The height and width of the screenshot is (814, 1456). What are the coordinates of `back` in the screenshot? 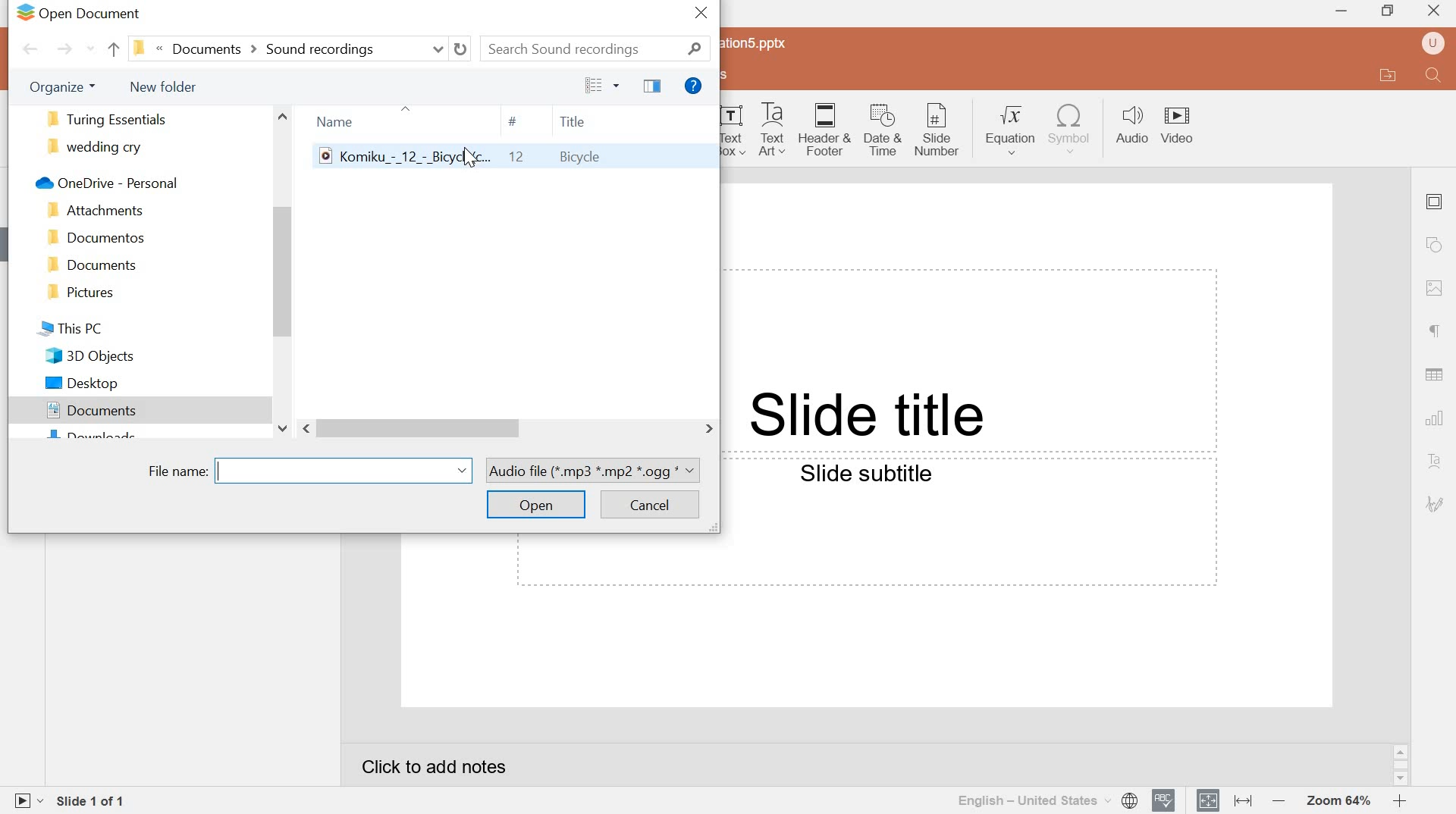 It's located at (112, 49).